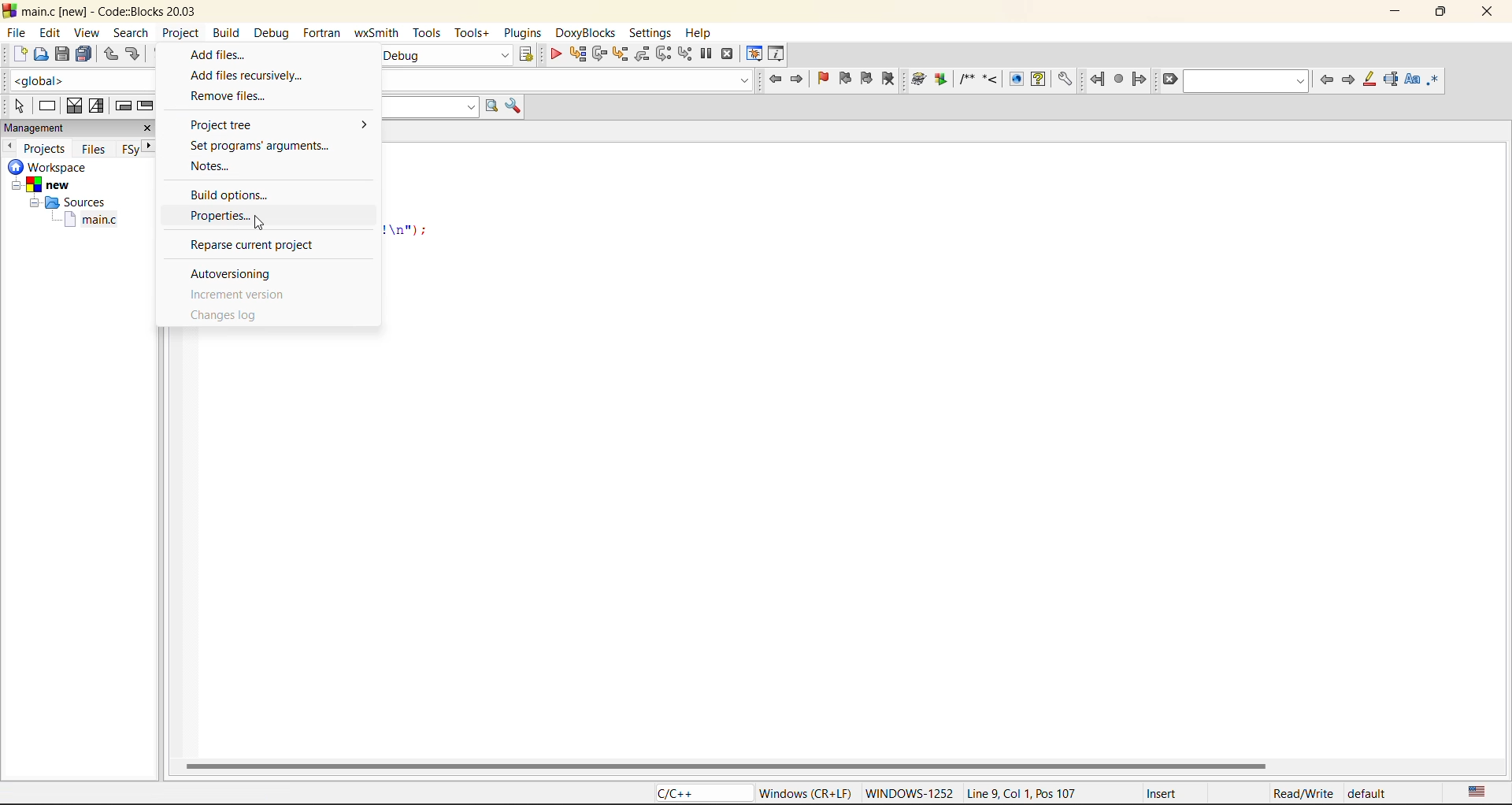 Image resolution: width=1512 pixels, height=805 pixels. I want to click on Sources, so click(65, 204).